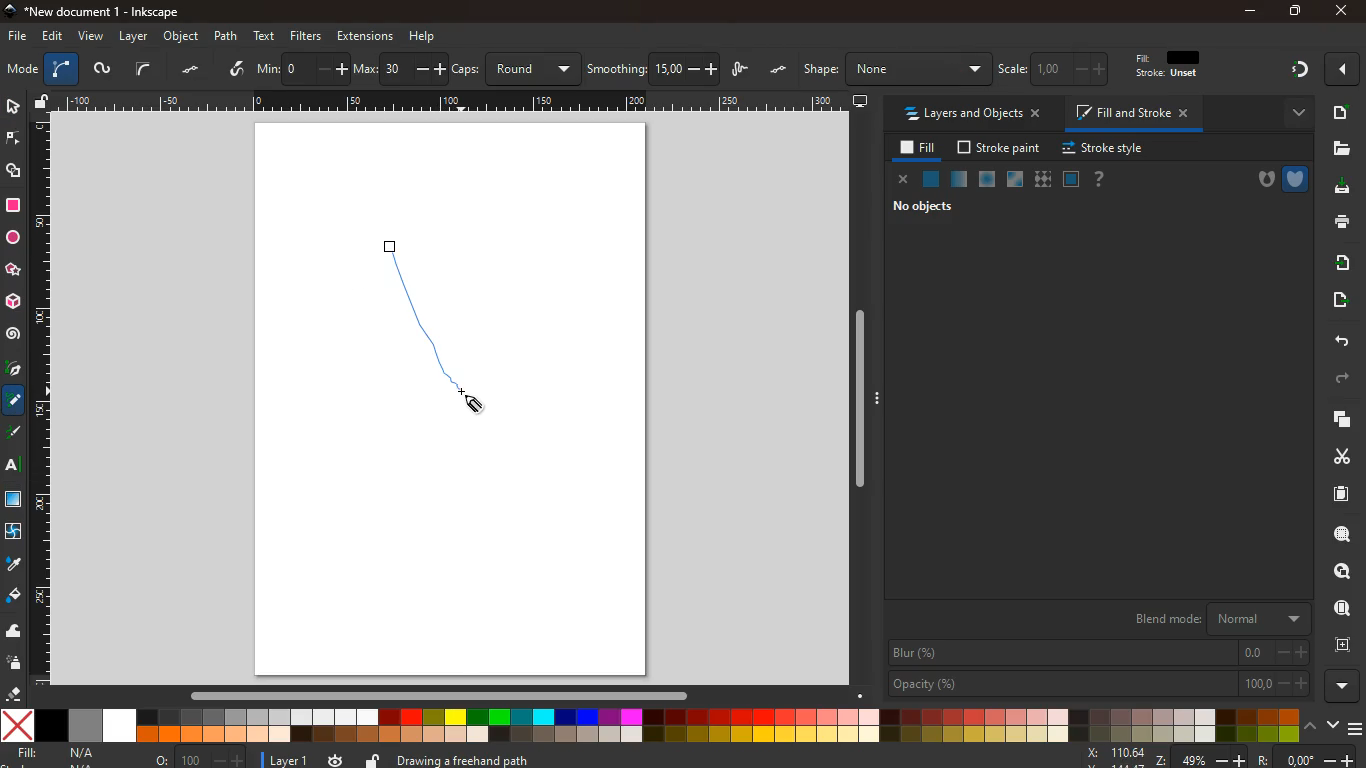 Image resolution: width=1366 pixels, height=768 pixels. Describe the element at coordinates (400, 70) in the screenshot. I see `max` at that location.